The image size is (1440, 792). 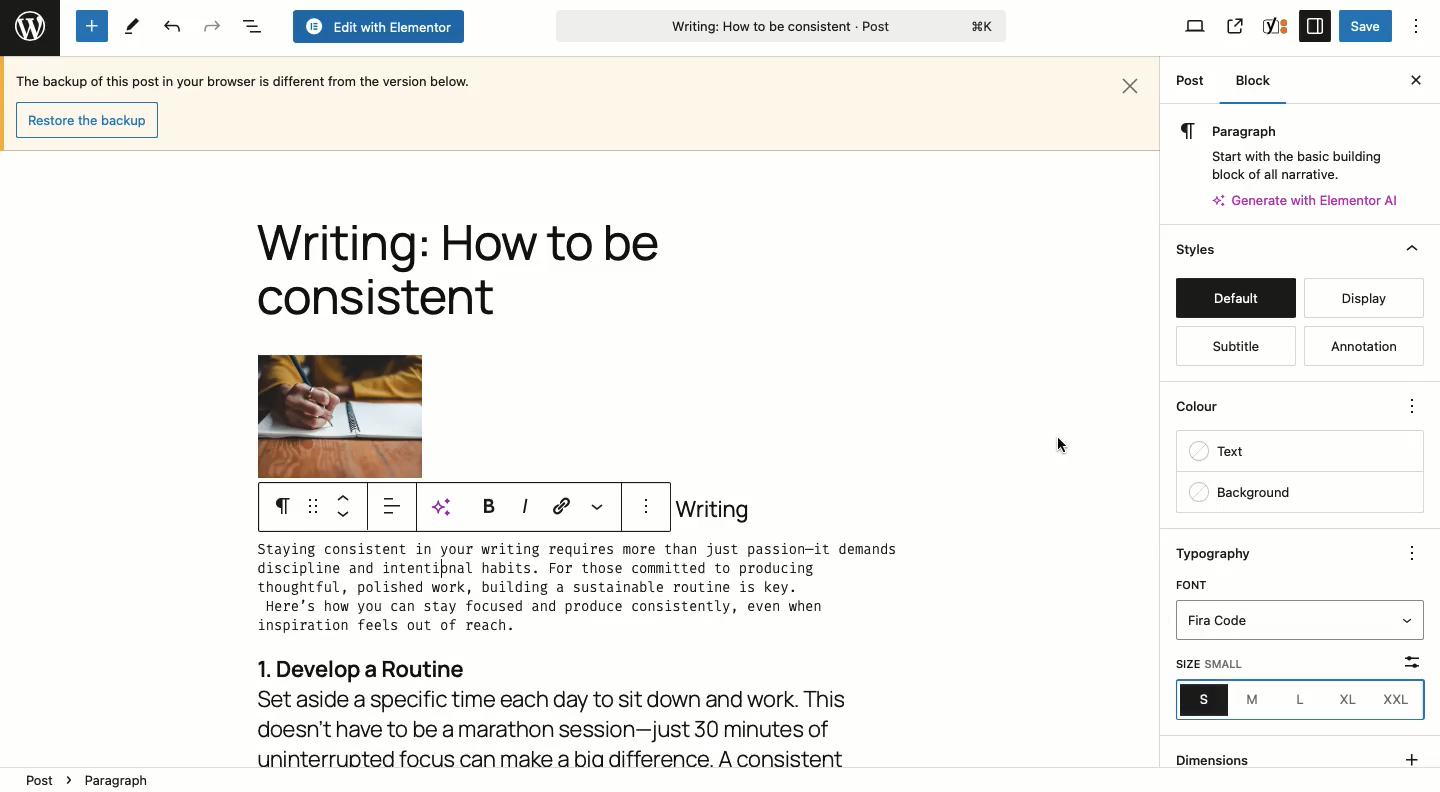 What do you see at coordinates (247, 80) in the screenshot?
I see `Backup text` at bounding box center [247, 80].